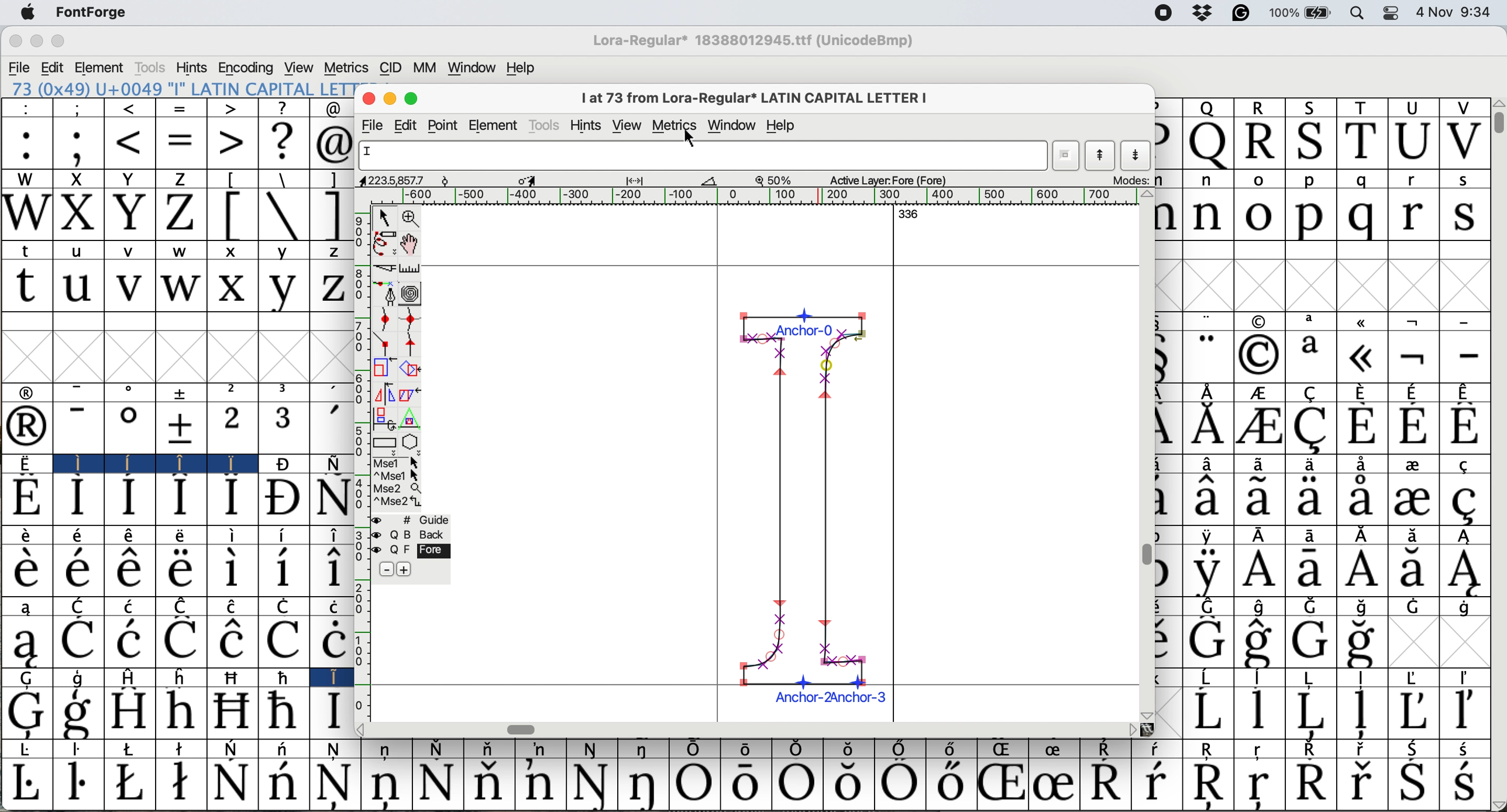  What do you see at coordinates (1055, 783) in the screenshot?
I see `Symbol` at bounding box center [1055, 783].